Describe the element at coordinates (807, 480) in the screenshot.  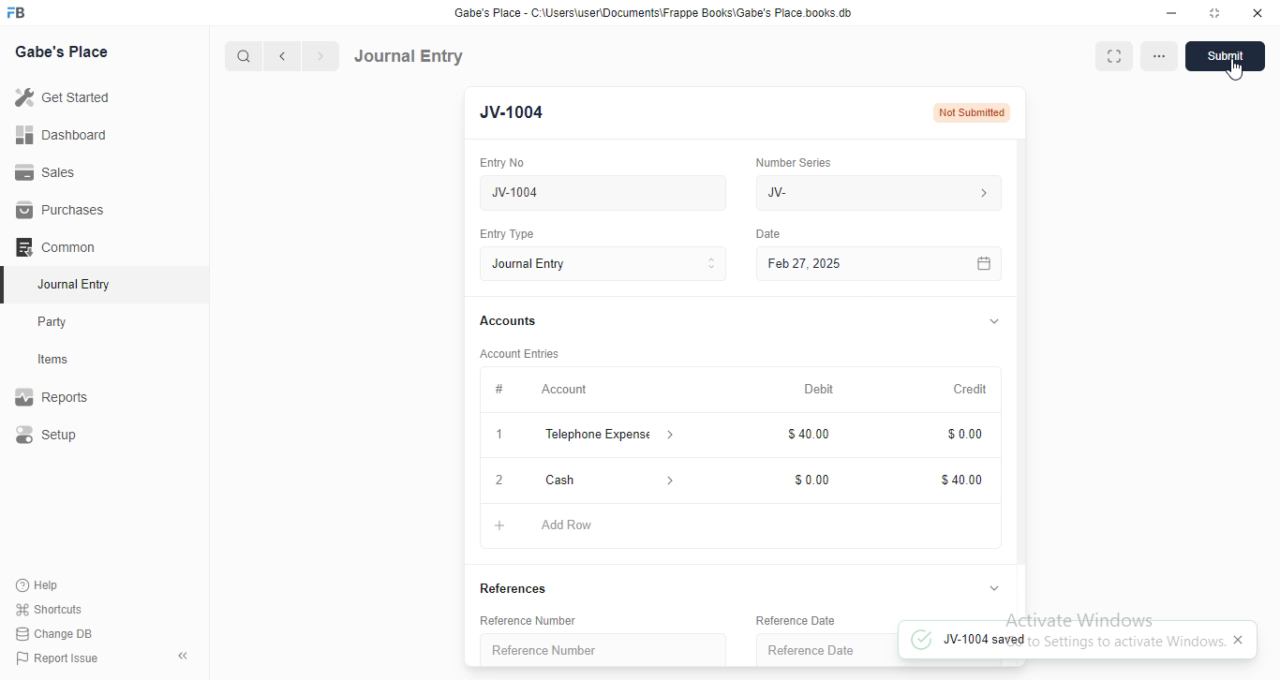
I see `0.00` at that location.